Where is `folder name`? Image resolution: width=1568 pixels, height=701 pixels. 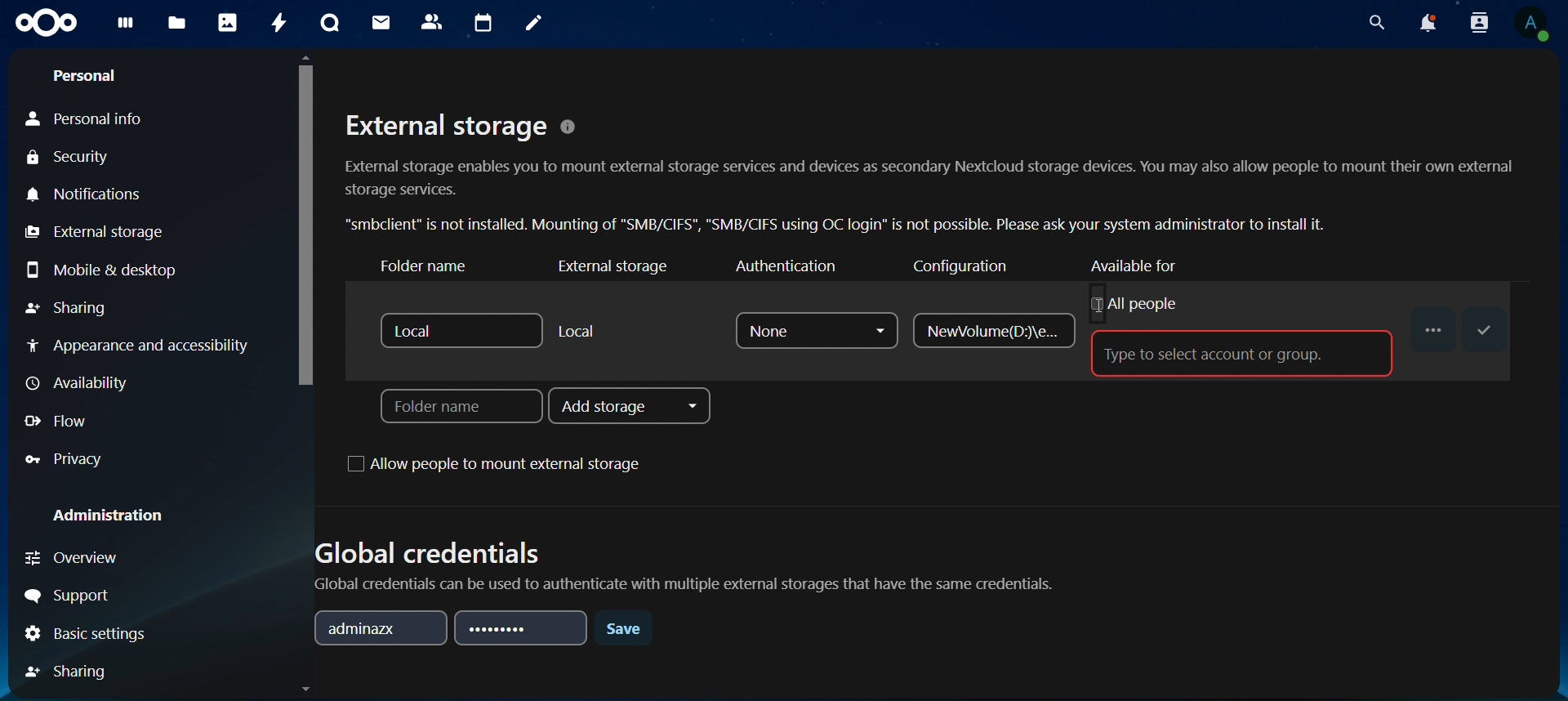
folder name is located at coordinates (457, 408).